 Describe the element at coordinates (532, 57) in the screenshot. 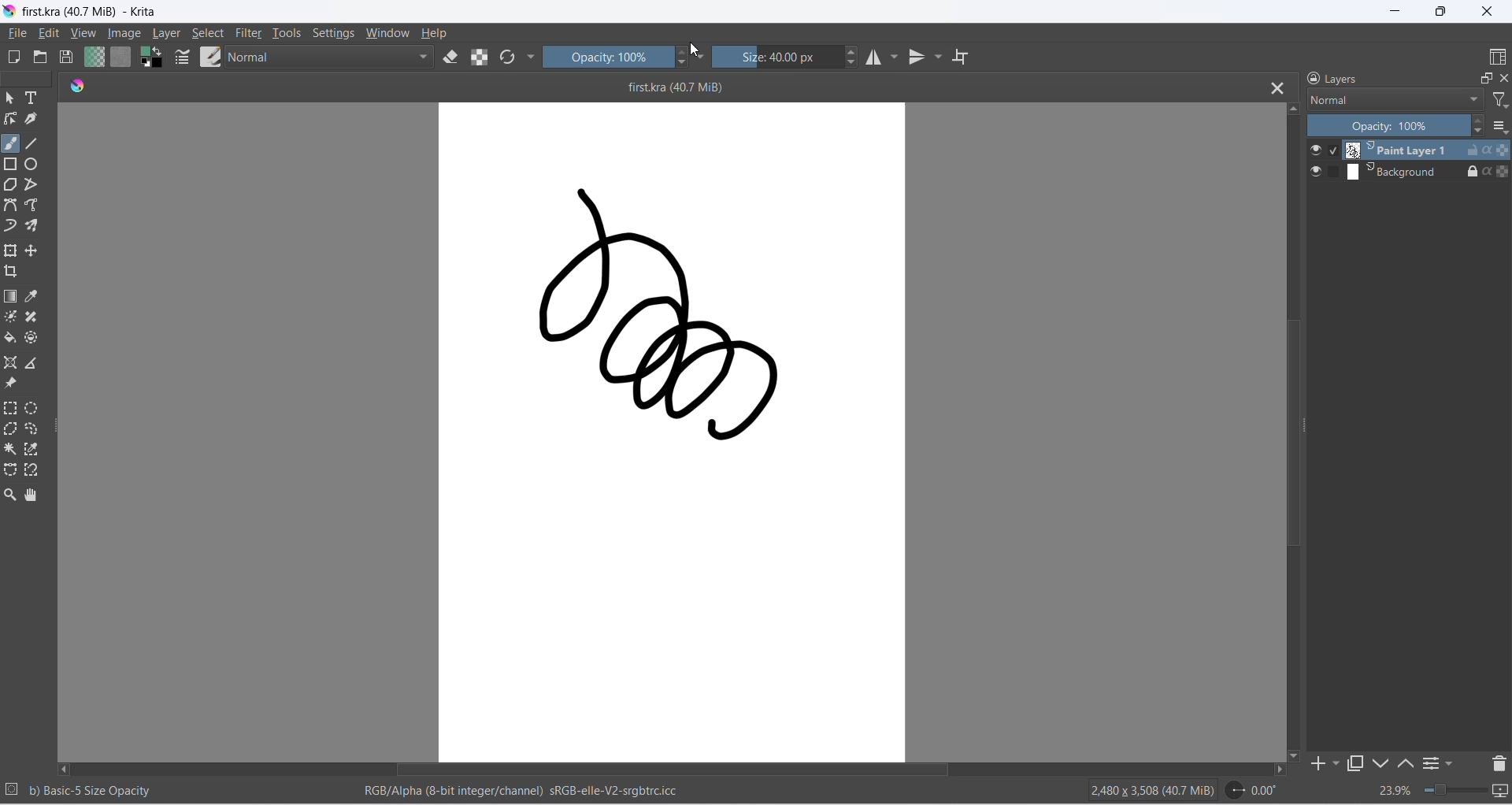

I see `rotation and flow` at that location.